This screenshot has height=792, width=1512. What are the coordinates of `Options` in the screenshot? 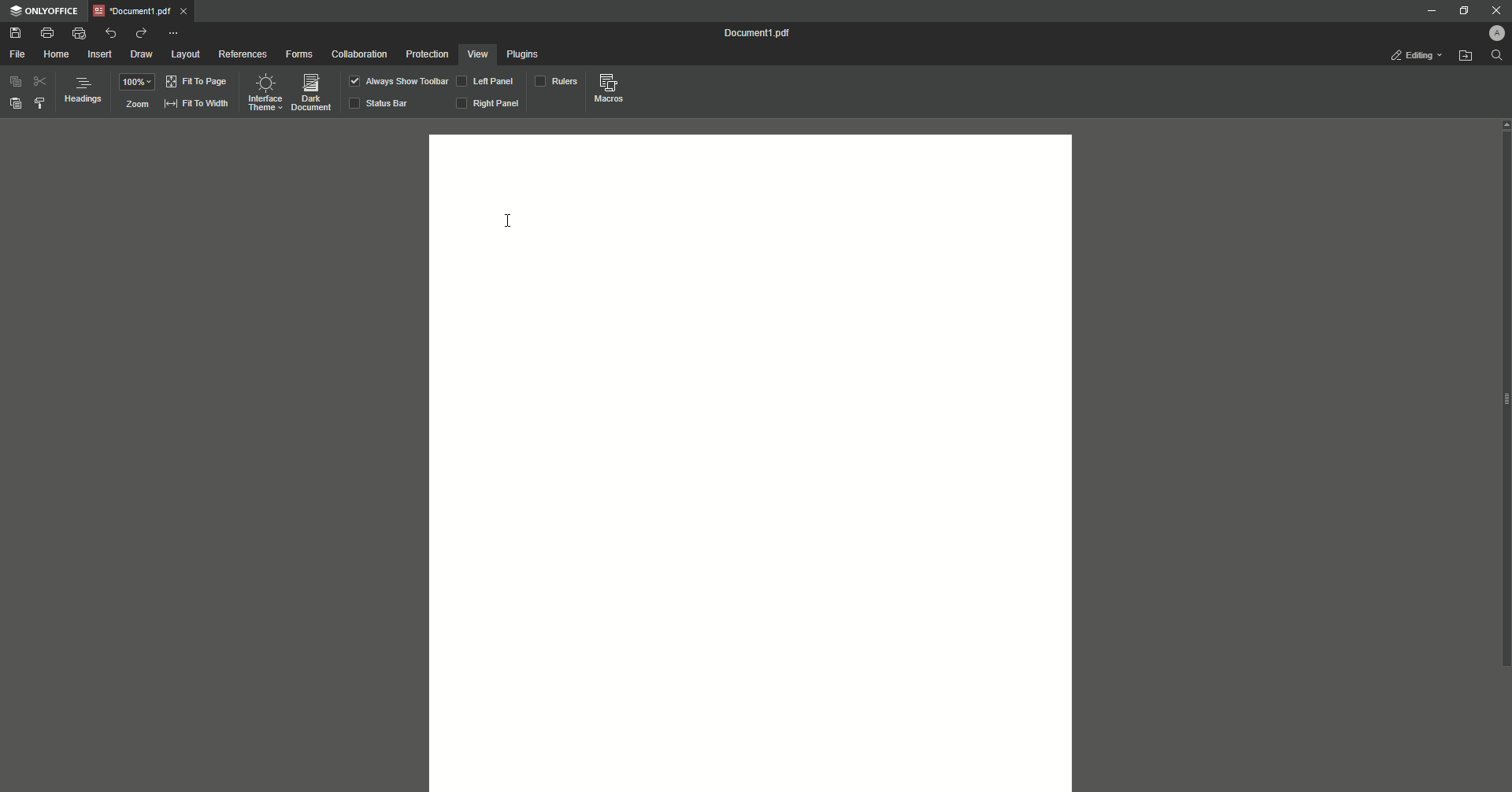 It's located at (175, 34).